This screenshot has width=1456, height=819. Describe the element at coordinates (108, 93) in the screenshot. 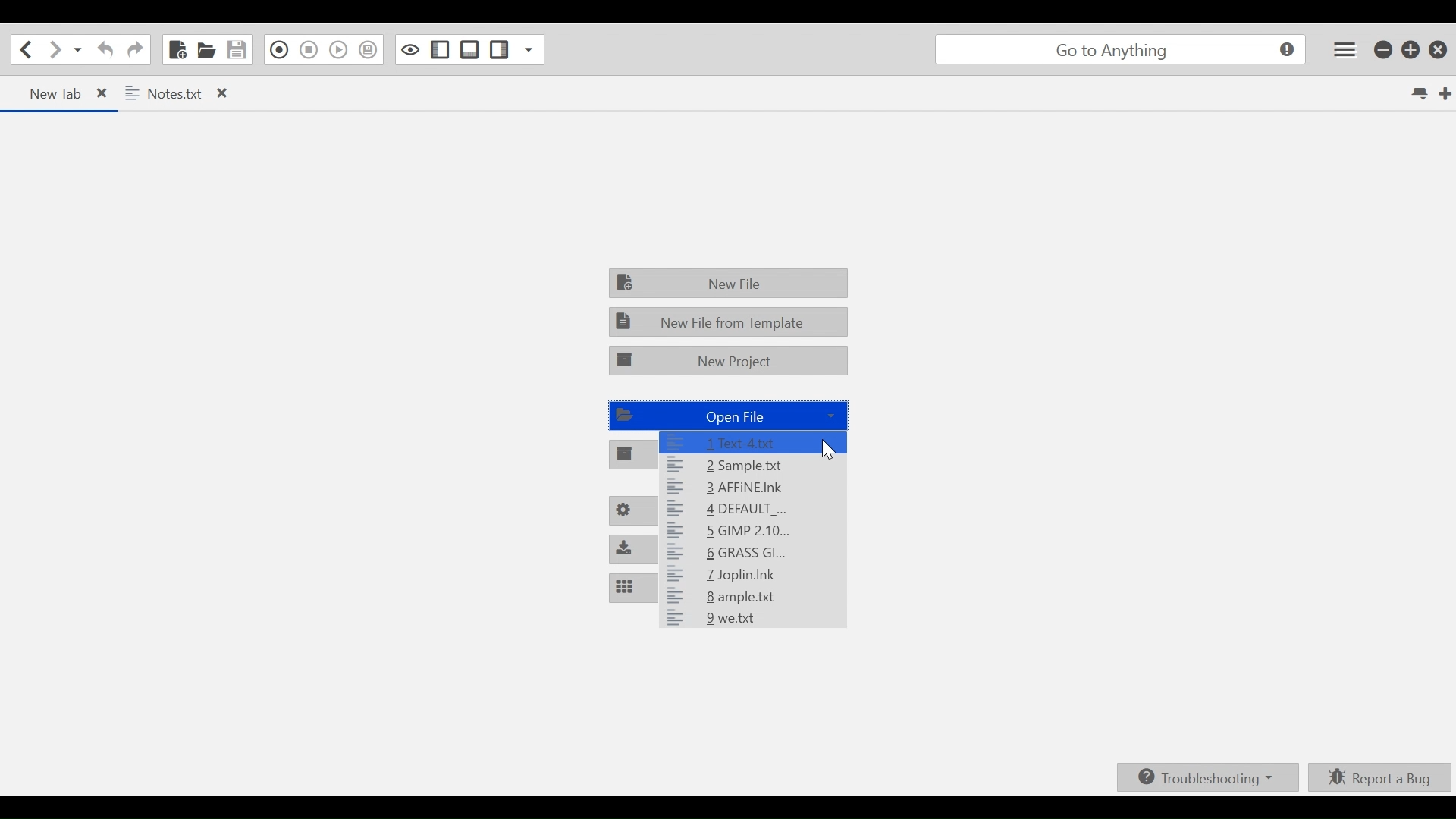

I see `close` at that location.